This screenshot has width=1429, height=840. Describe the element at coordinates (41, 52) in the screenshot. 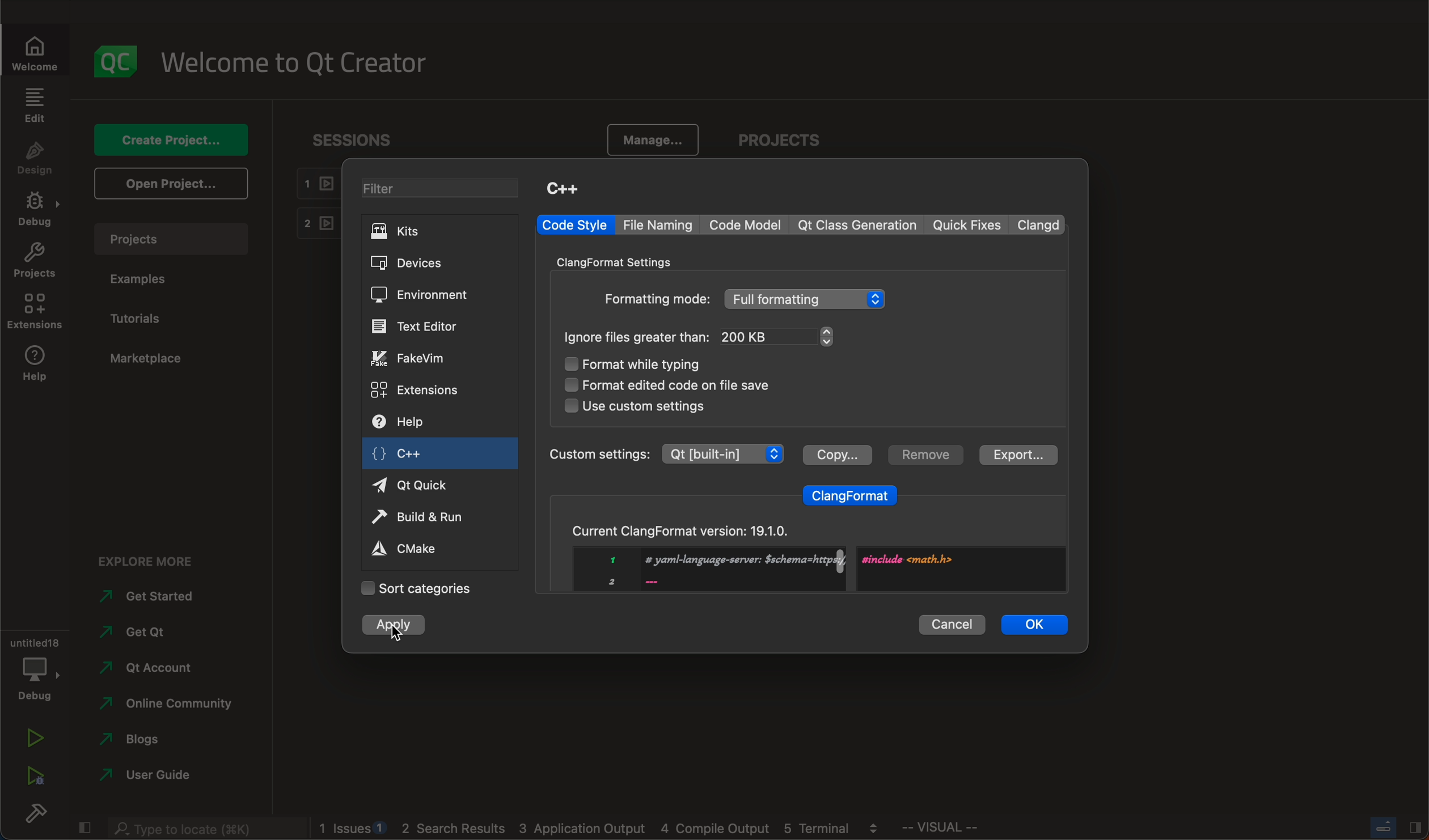

I see `welcome` at that location.